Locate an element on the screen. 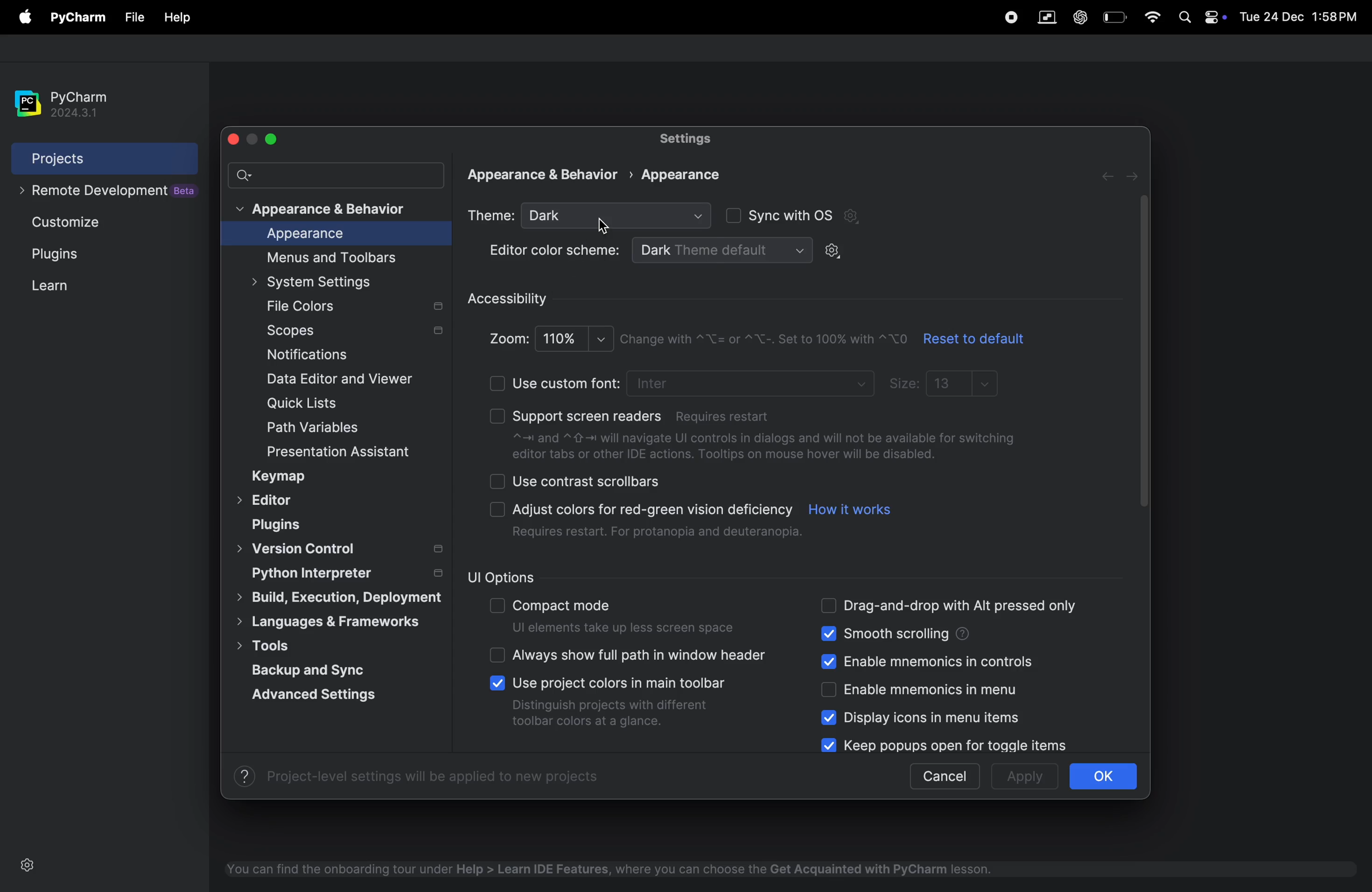 This screenshot has height=892, width=1372. reset to default is located at coordinates (982, 339).